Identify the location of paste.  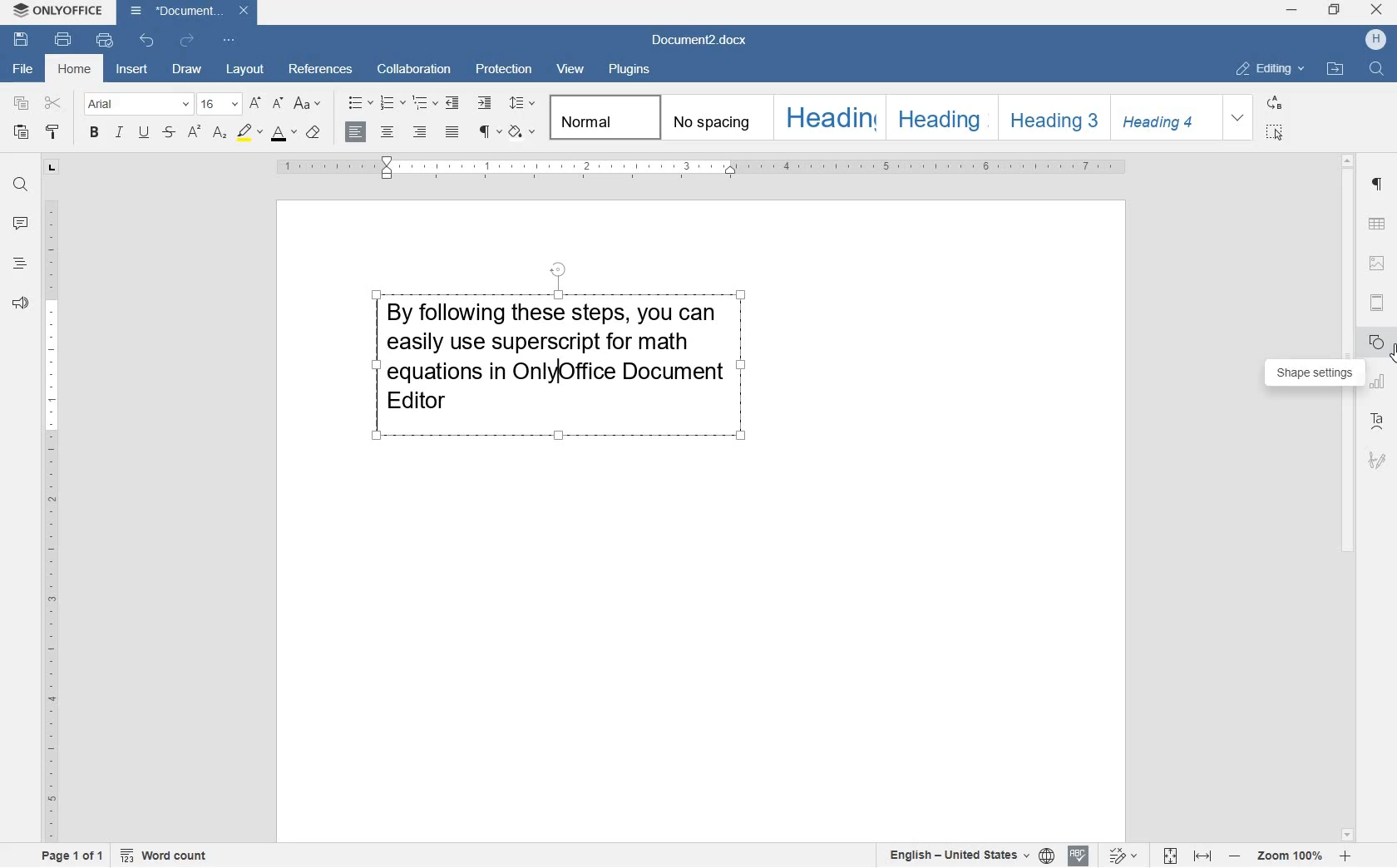
(22, 133).